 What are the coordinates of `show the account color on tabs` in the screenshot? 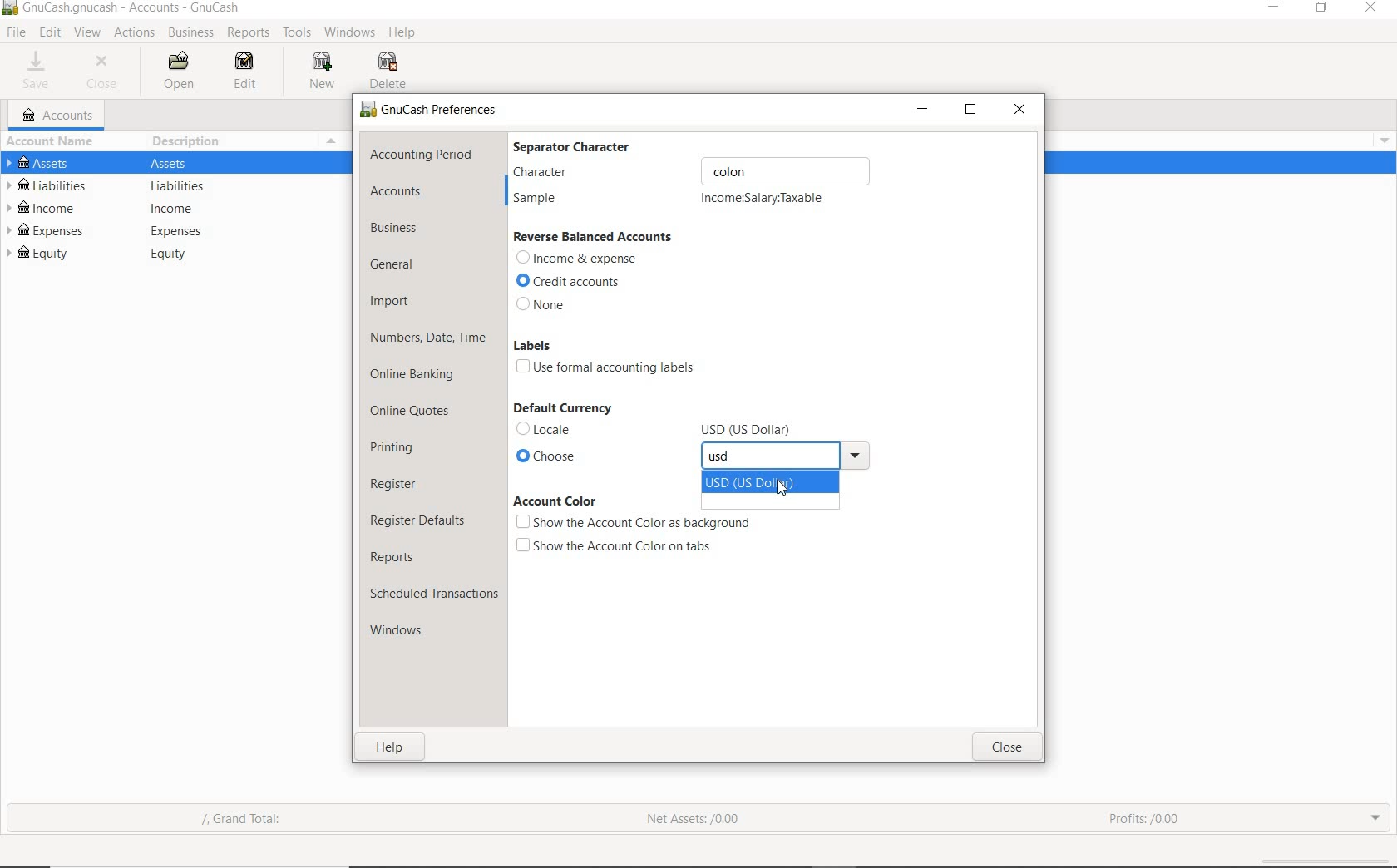 It's located at (616, 545).